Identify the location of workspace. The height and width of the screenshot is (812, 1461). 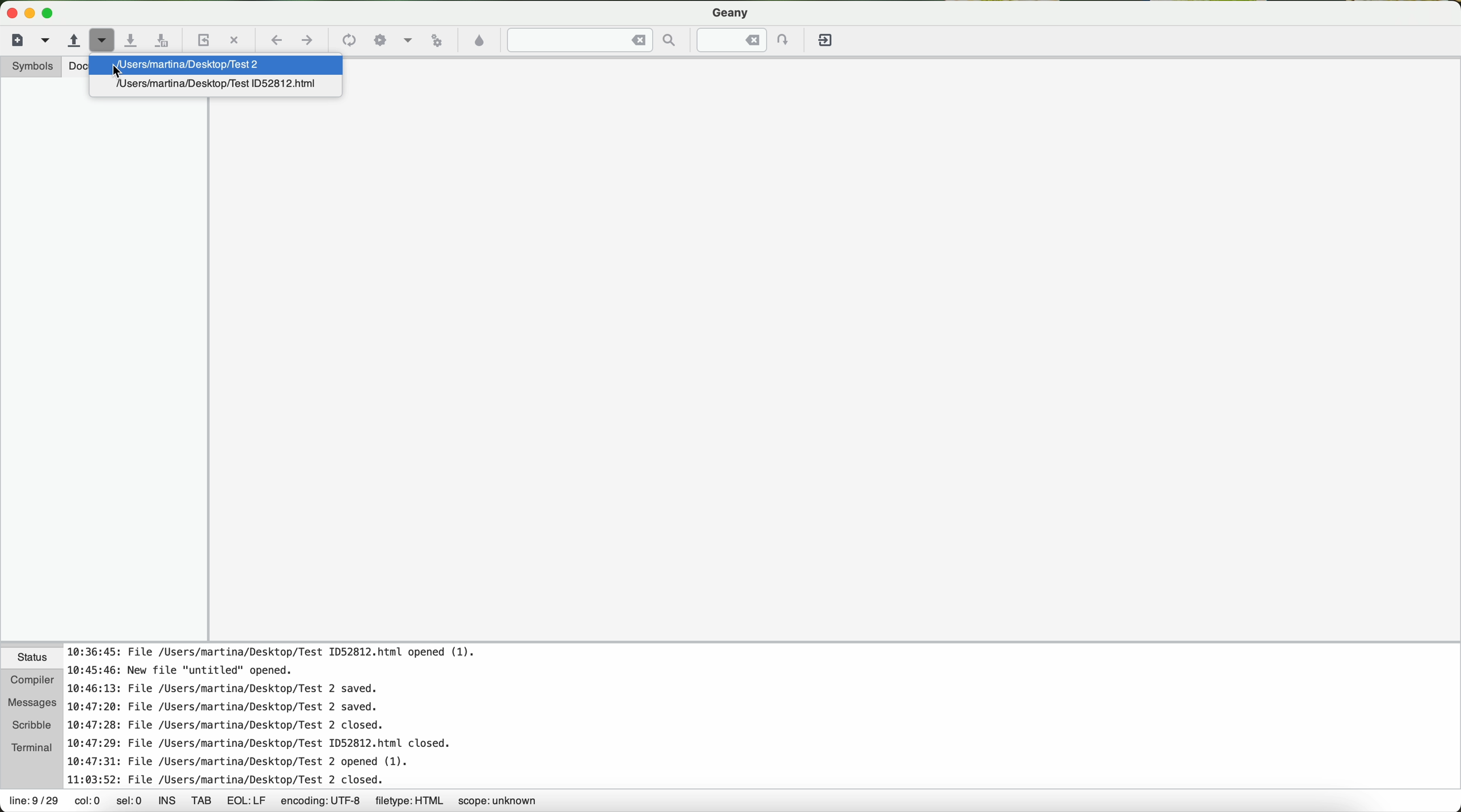
(834, 377).